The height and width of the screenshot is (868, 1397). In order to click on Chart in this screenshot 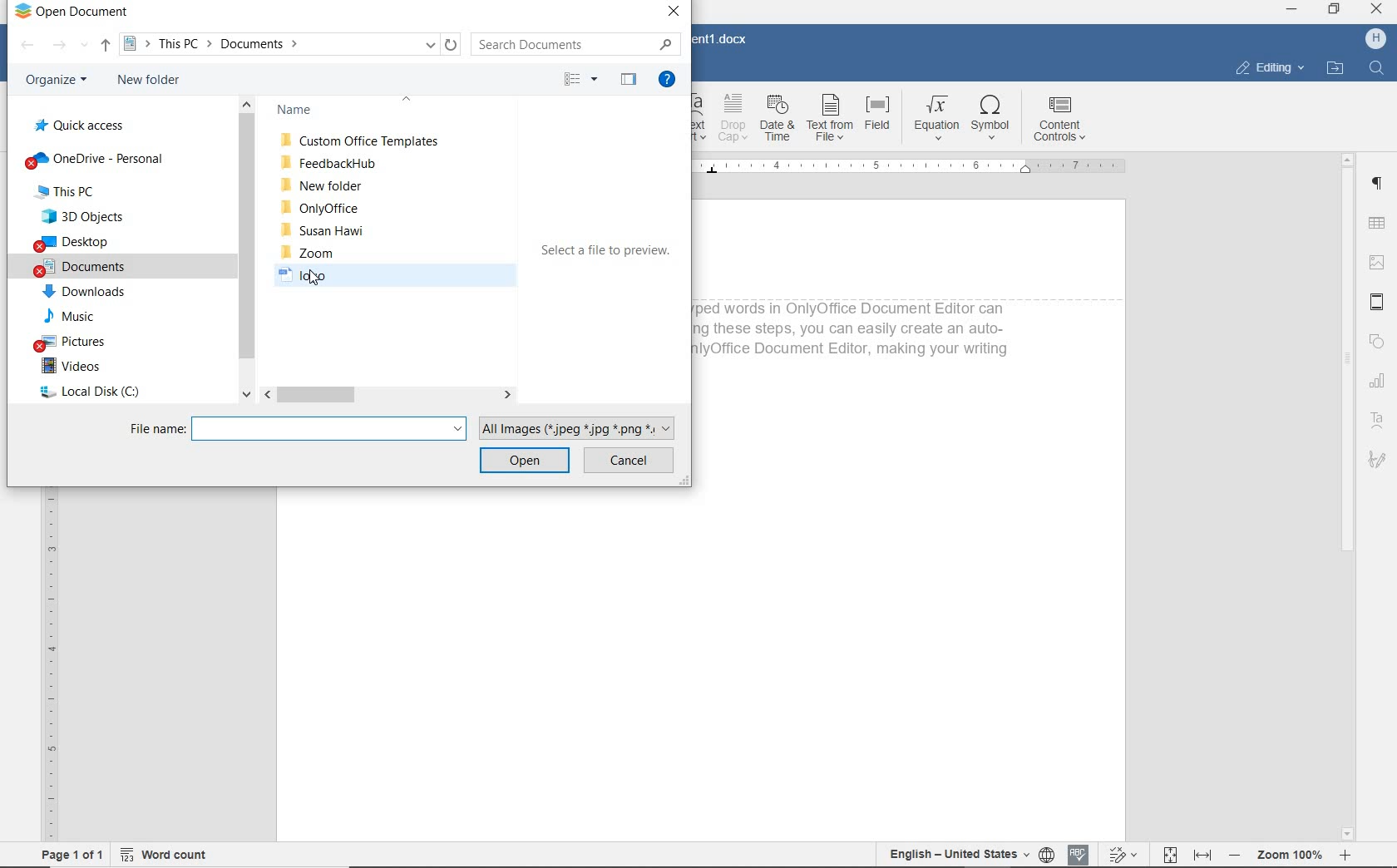, I will do `click(1380, 382)`.